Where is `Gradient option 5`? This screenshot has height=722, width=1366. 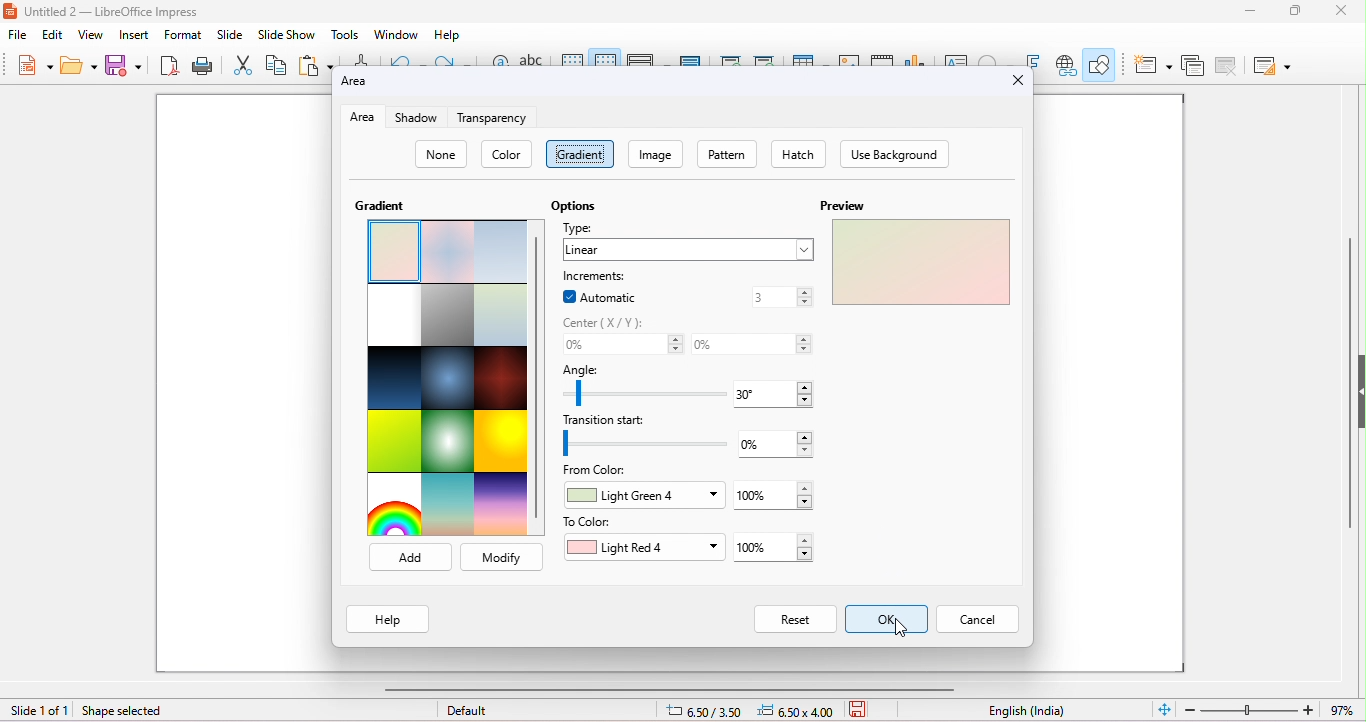 Gradient option 5 is located at coordinates (448, 315).